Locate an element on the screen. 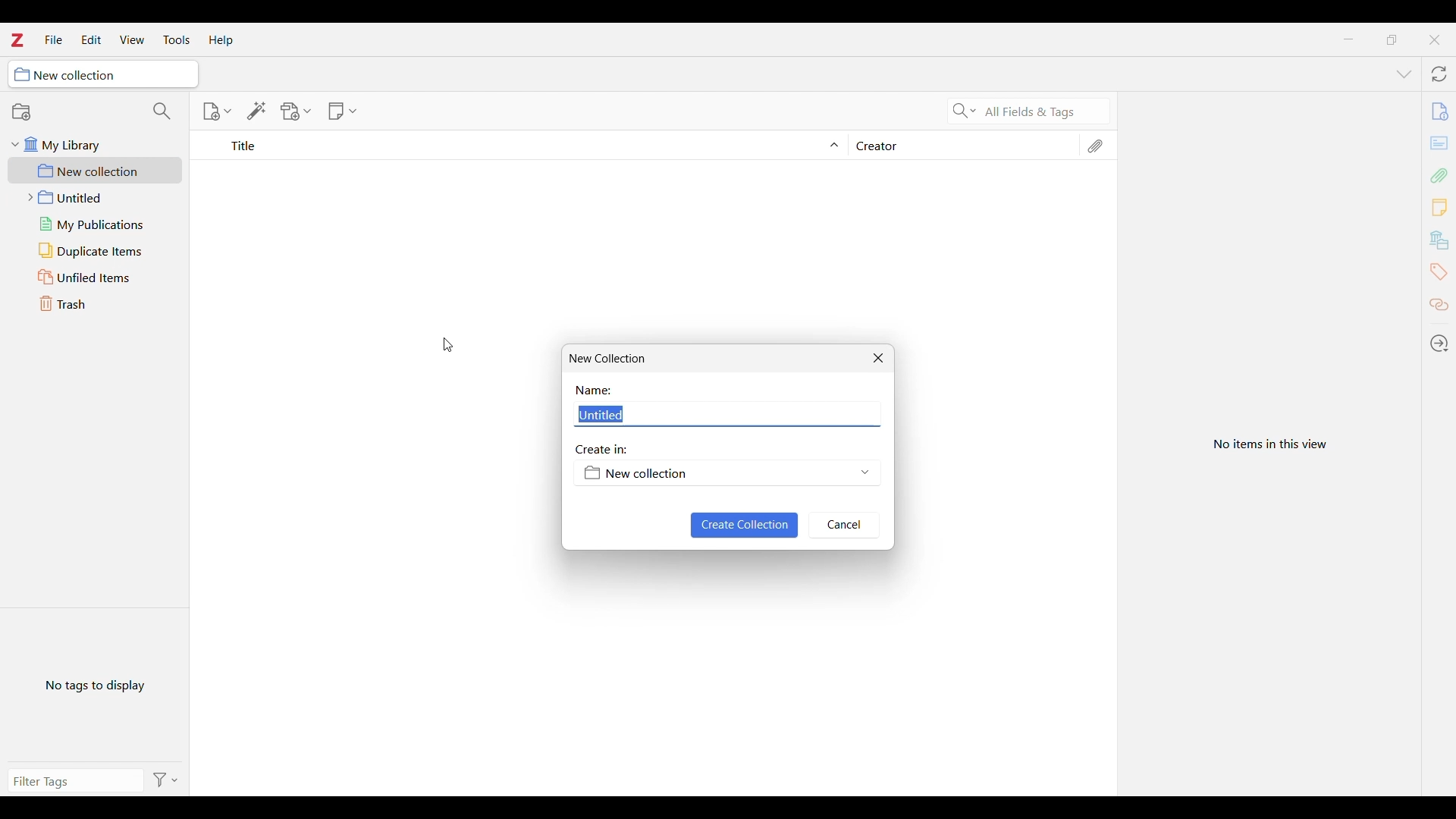 The height and width of the screenshot is (819, 1456). Help menu is located at coordinates (221, 40).